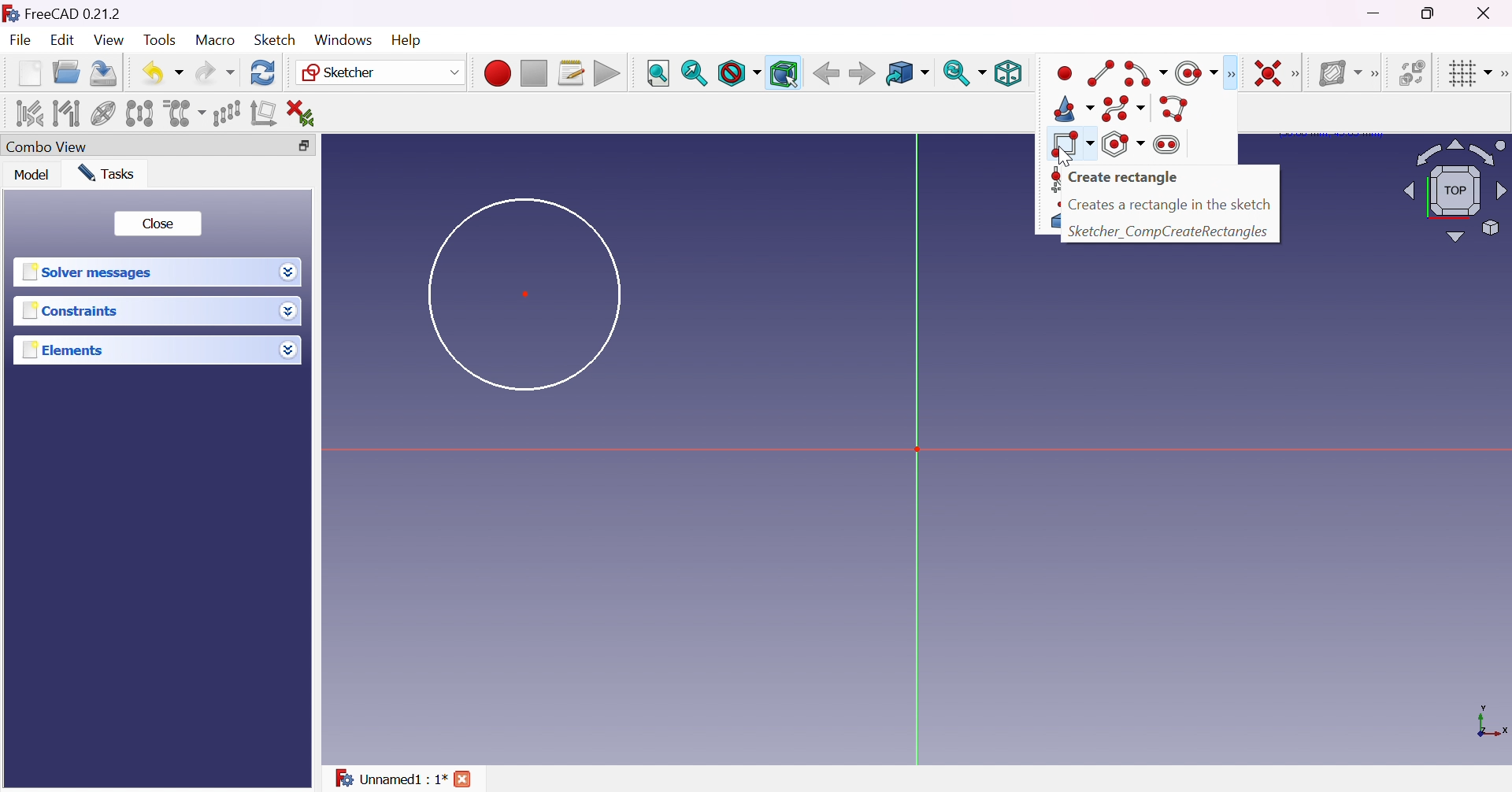 This screenshot has width=1512, height=792. Describe the element at coordinates (183, 112) in the screenshot. I see `Clone` at that location.